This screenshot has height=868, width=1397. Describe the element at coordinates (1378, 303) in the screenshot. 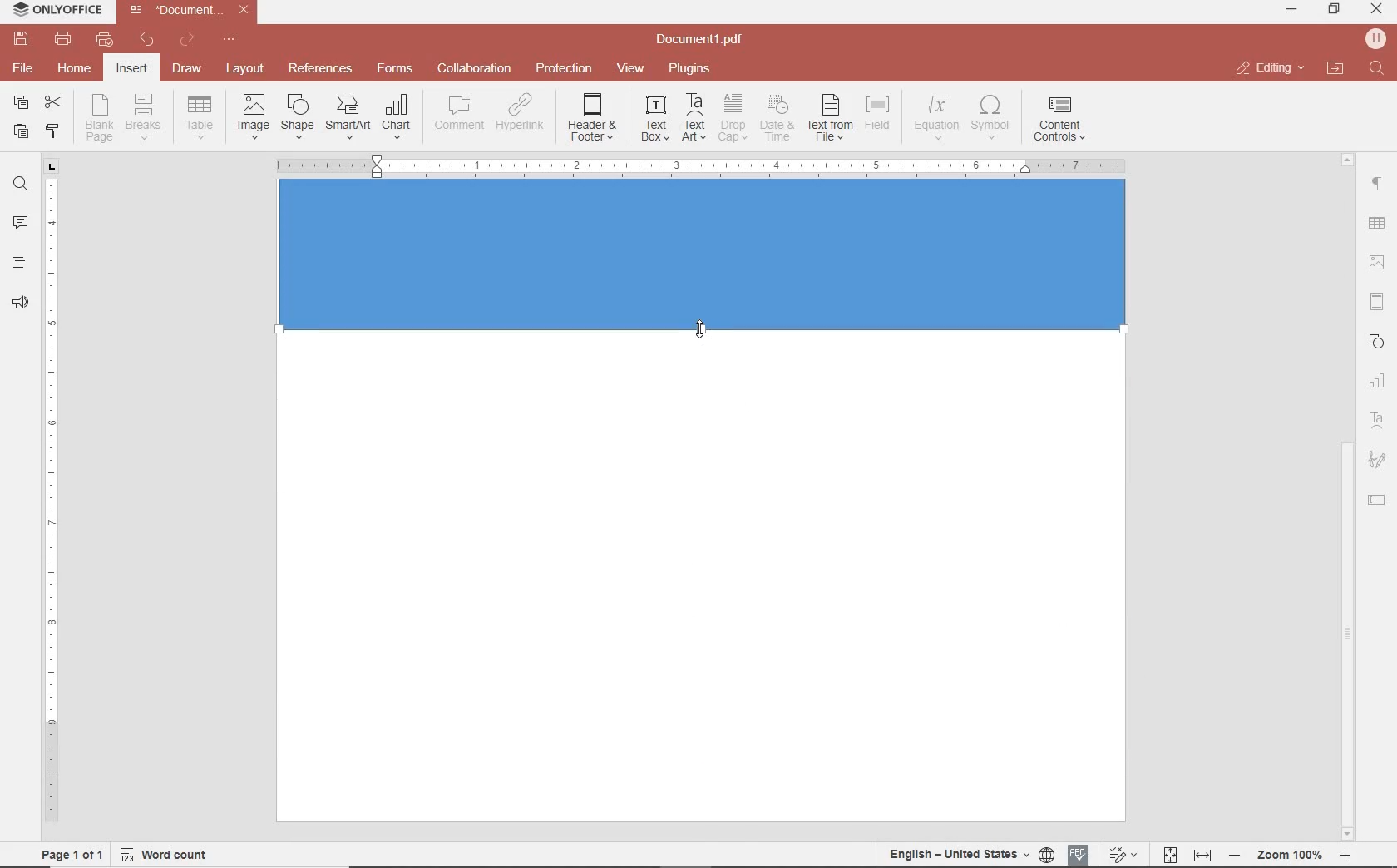

I see `HEADERS & FOOTERS` at that location.